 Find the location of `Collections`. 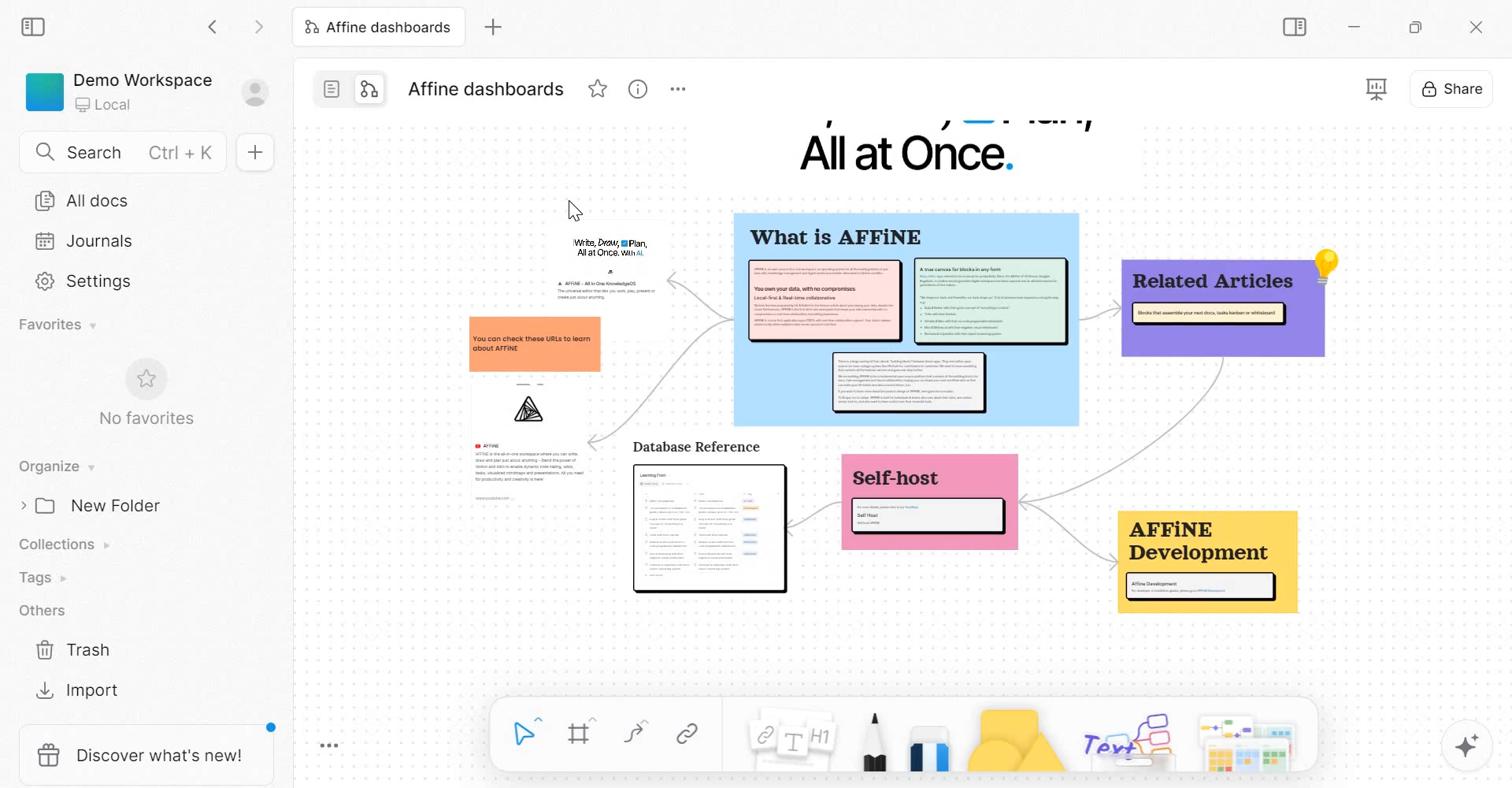

Collections is located at coordinates (65, 543).